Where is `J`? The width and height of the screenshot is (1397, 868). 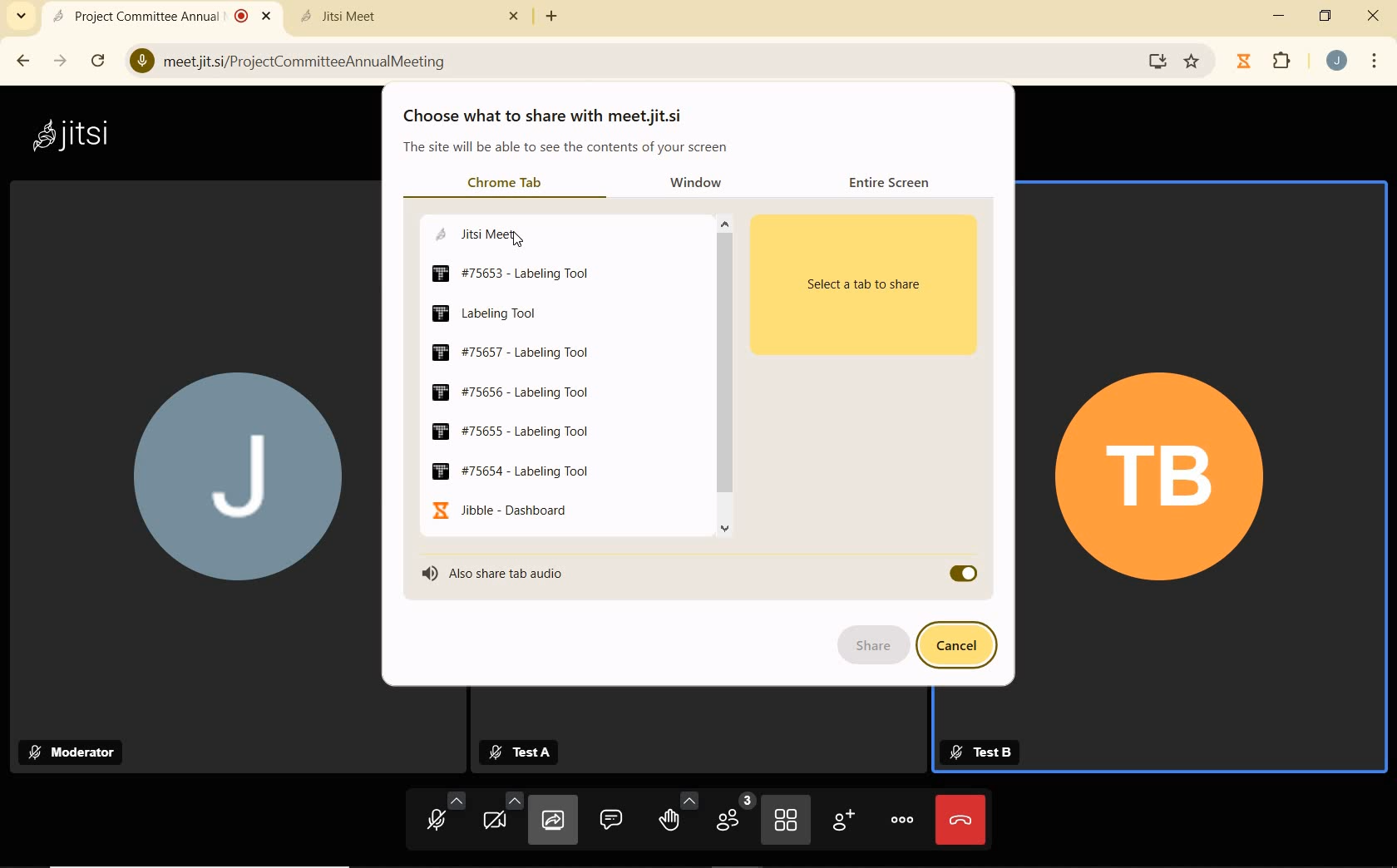 J is located at coordinates (230, 482).